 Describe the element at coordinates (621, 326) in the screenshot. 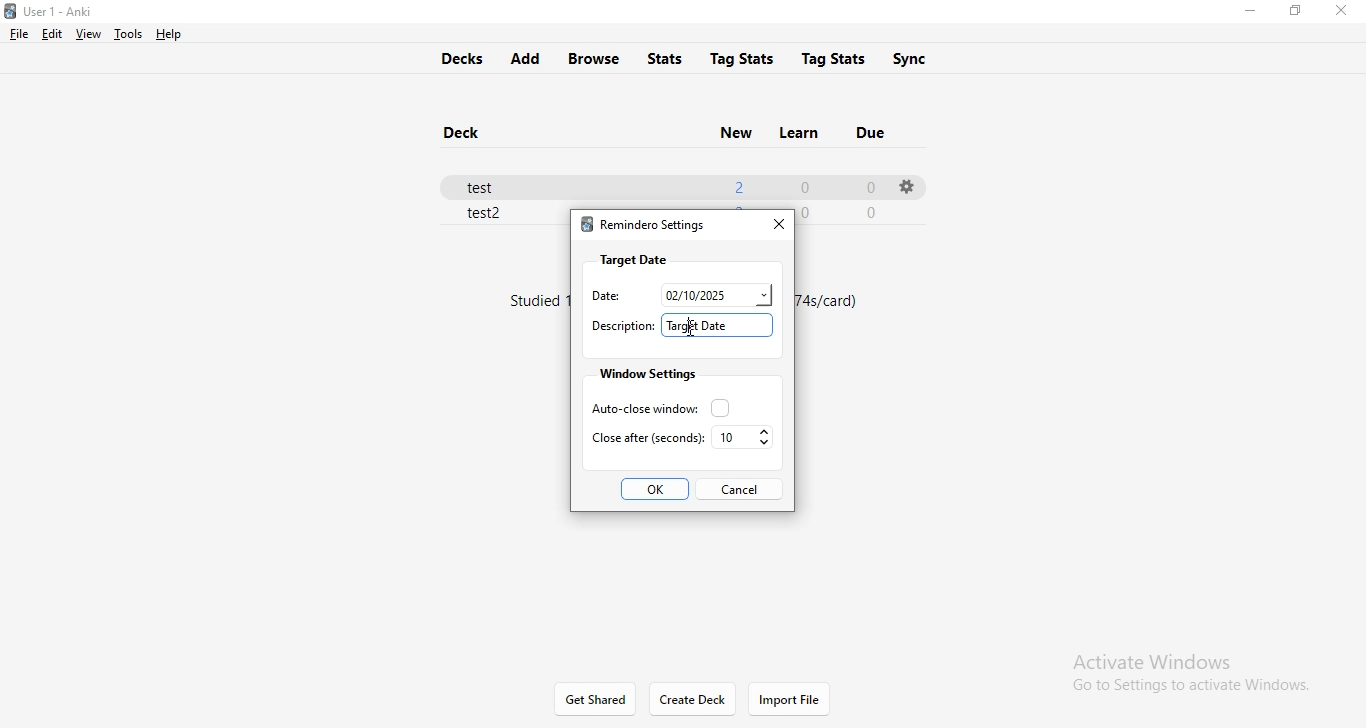

I see `descriptiuon` at that location.